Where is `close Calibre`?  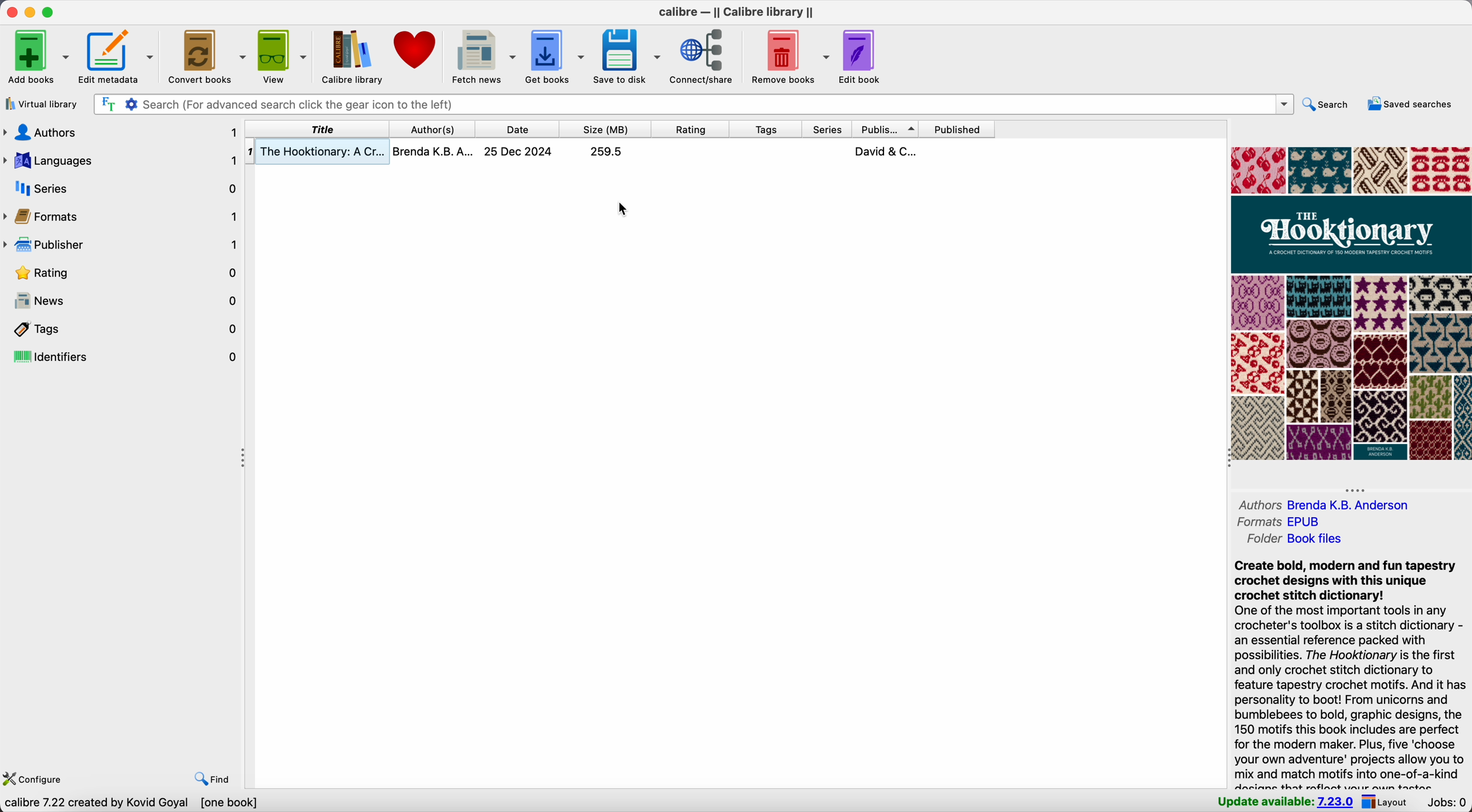
close Calibre is located at coordinates (9, 11).